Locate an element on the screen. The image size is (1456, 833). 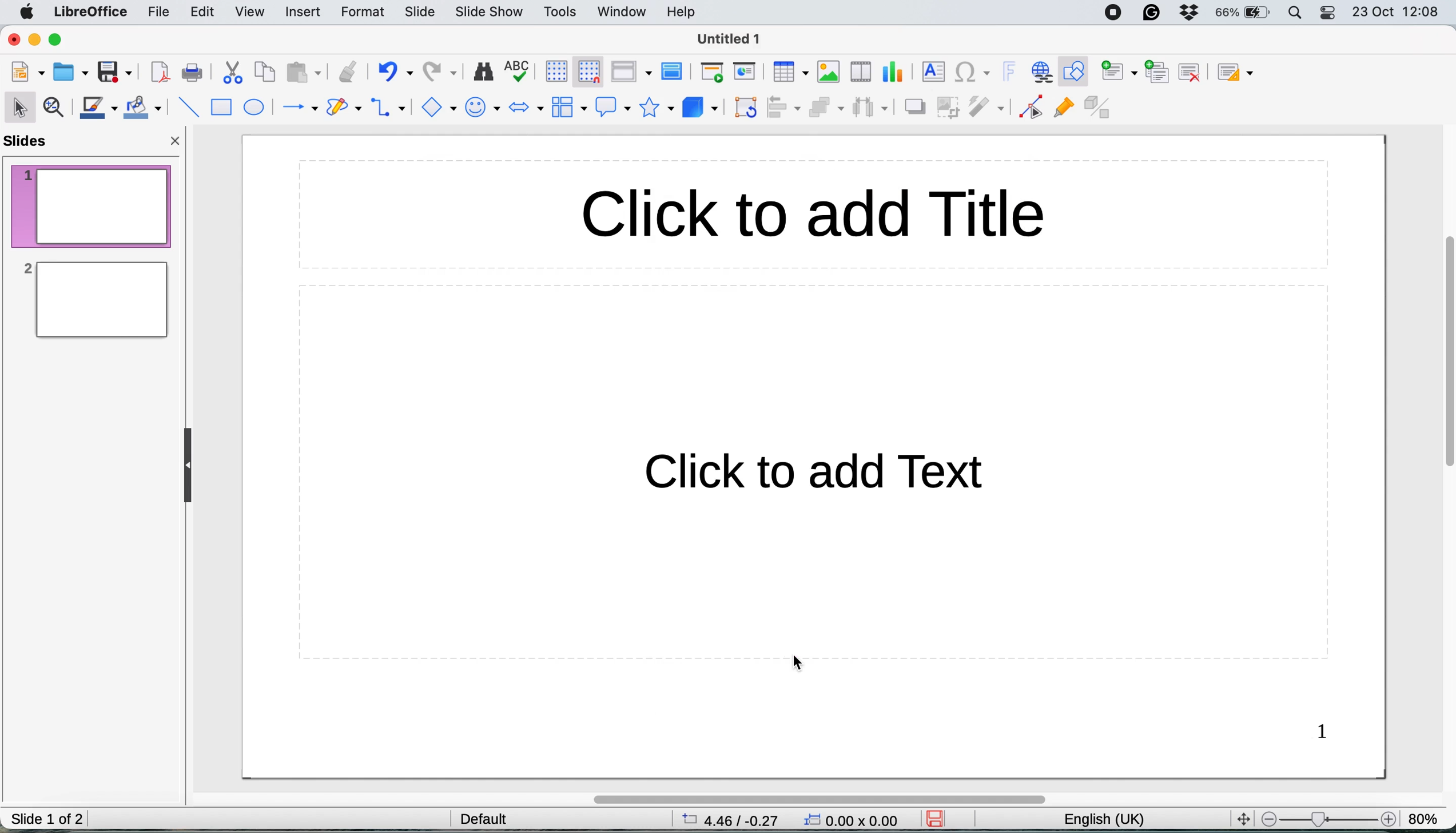
slide 2 is located at coordinates (93, 300).